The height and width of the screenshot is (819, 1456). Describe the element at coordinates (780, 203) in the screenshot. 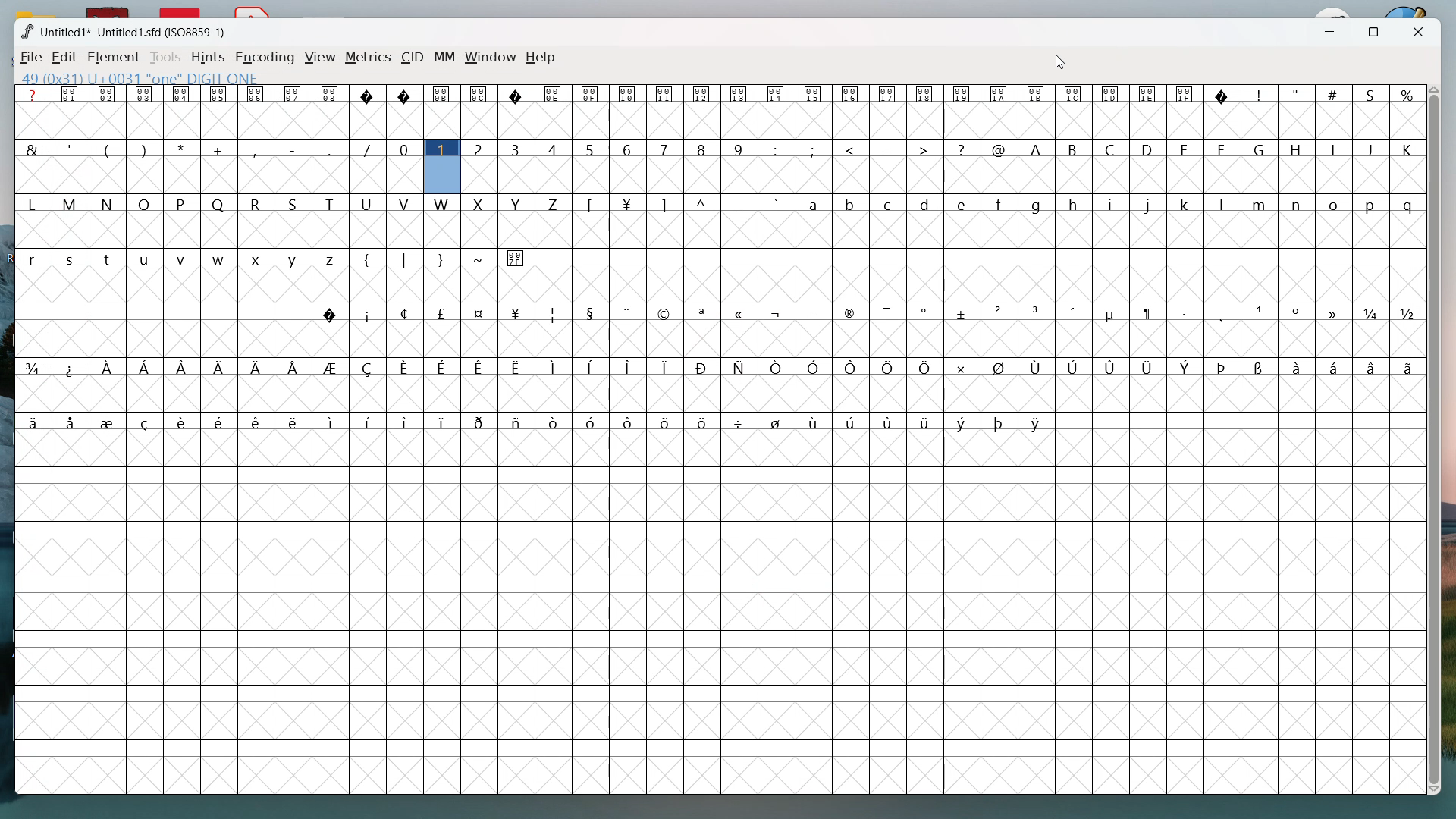

I see ``` at that location.